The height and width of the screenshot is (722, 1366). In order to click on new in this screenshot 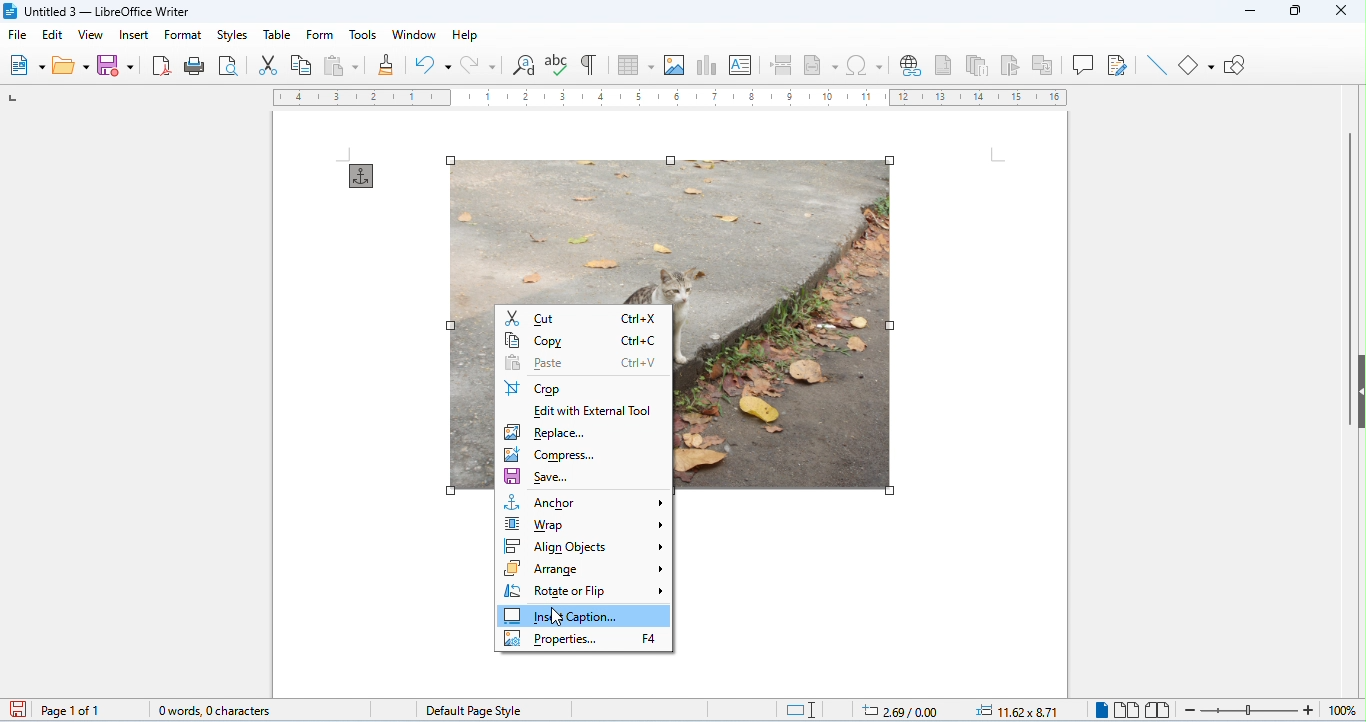, I will do `click(28, 65)`.